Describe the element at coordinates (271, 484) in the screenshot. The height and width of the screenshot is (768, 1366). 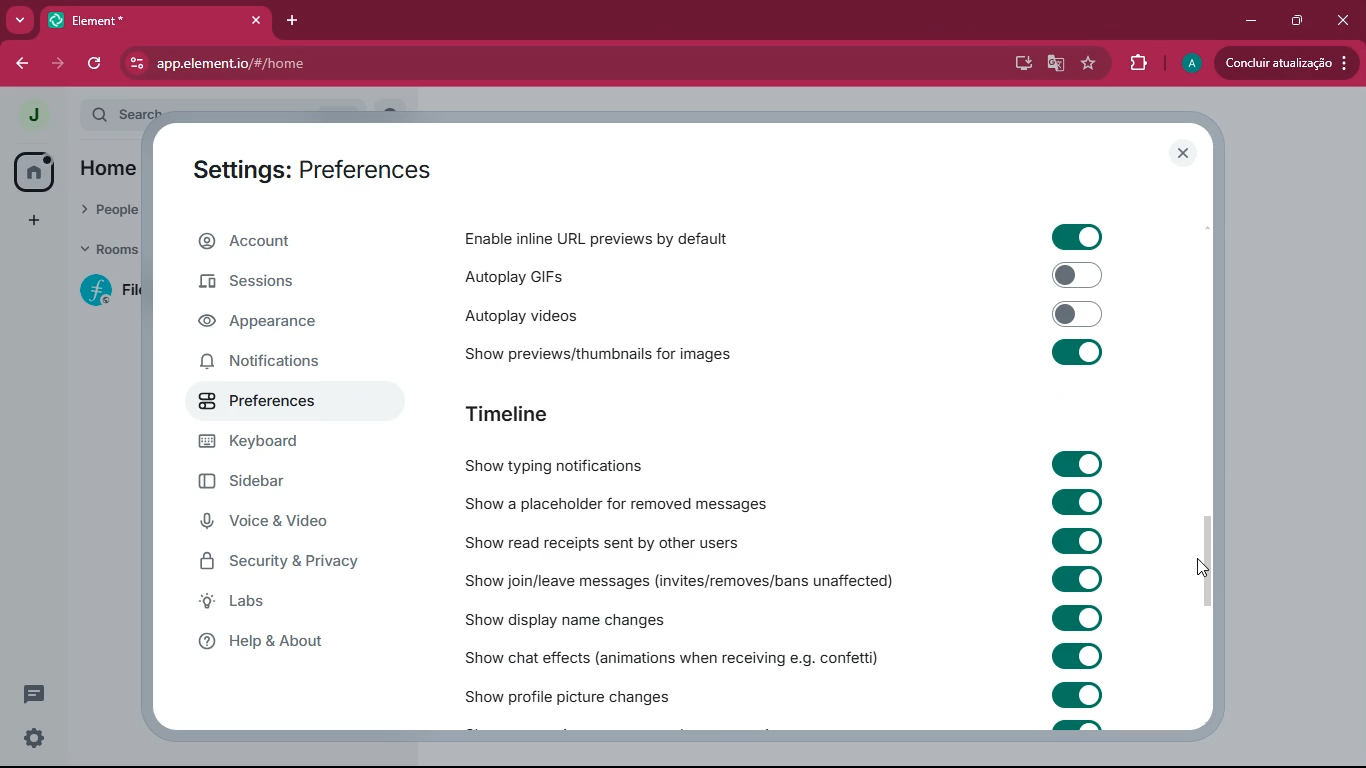
I see `sidebar` at that location.